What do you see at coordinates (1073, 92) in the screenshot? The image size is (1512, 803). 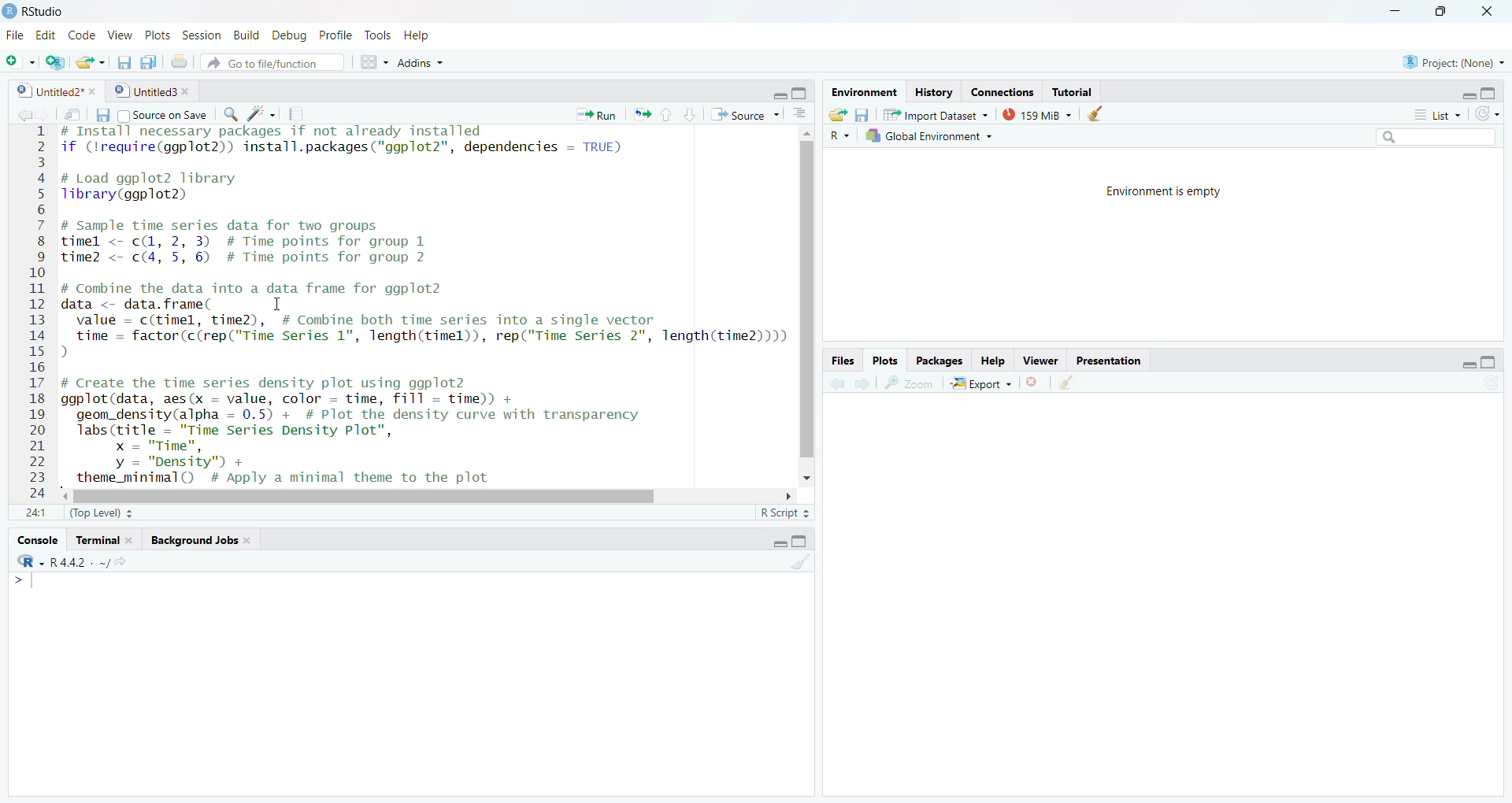 I see `Tutorial` at bounding box center [1073, 92].